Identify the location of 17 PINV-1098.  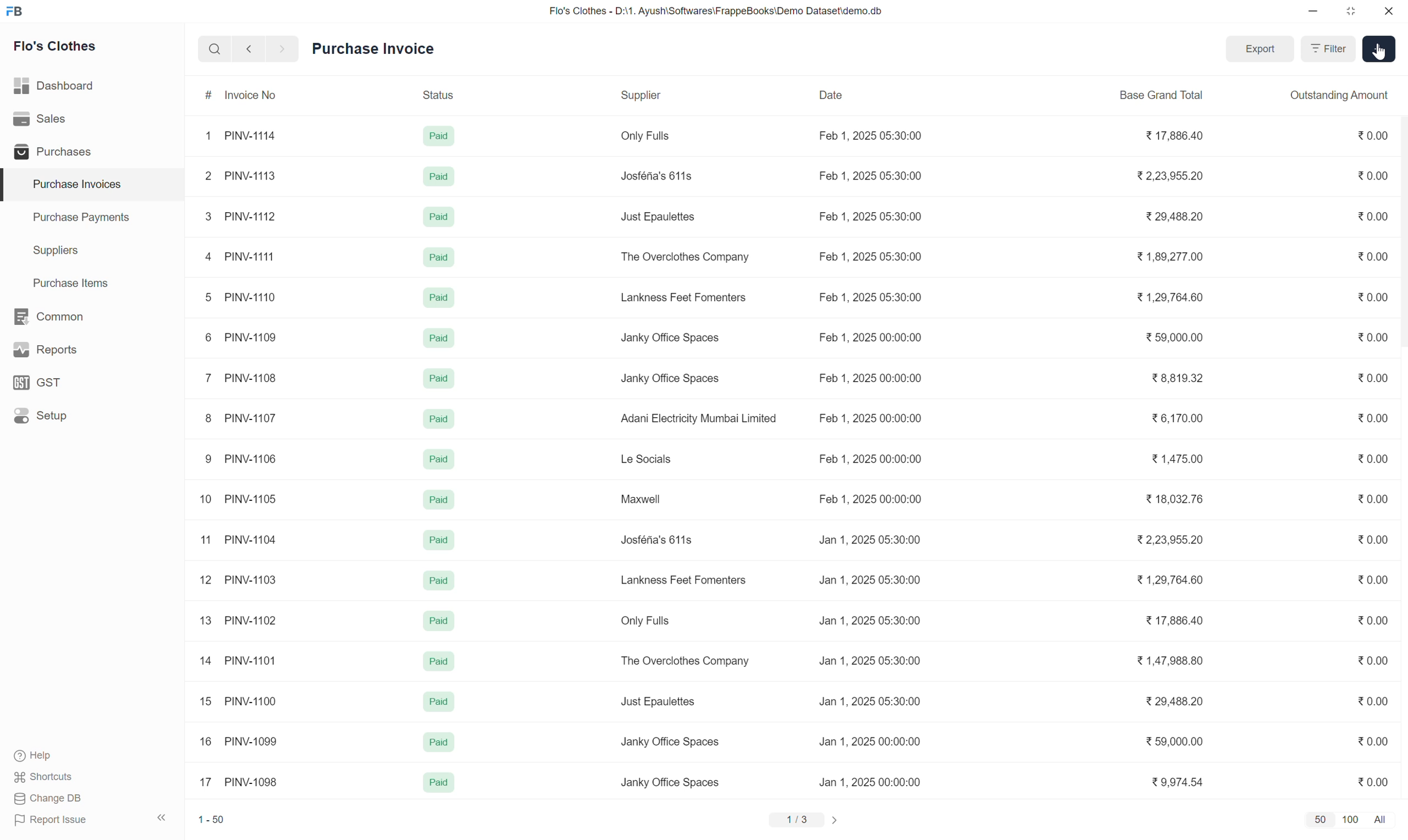
(239, 782).